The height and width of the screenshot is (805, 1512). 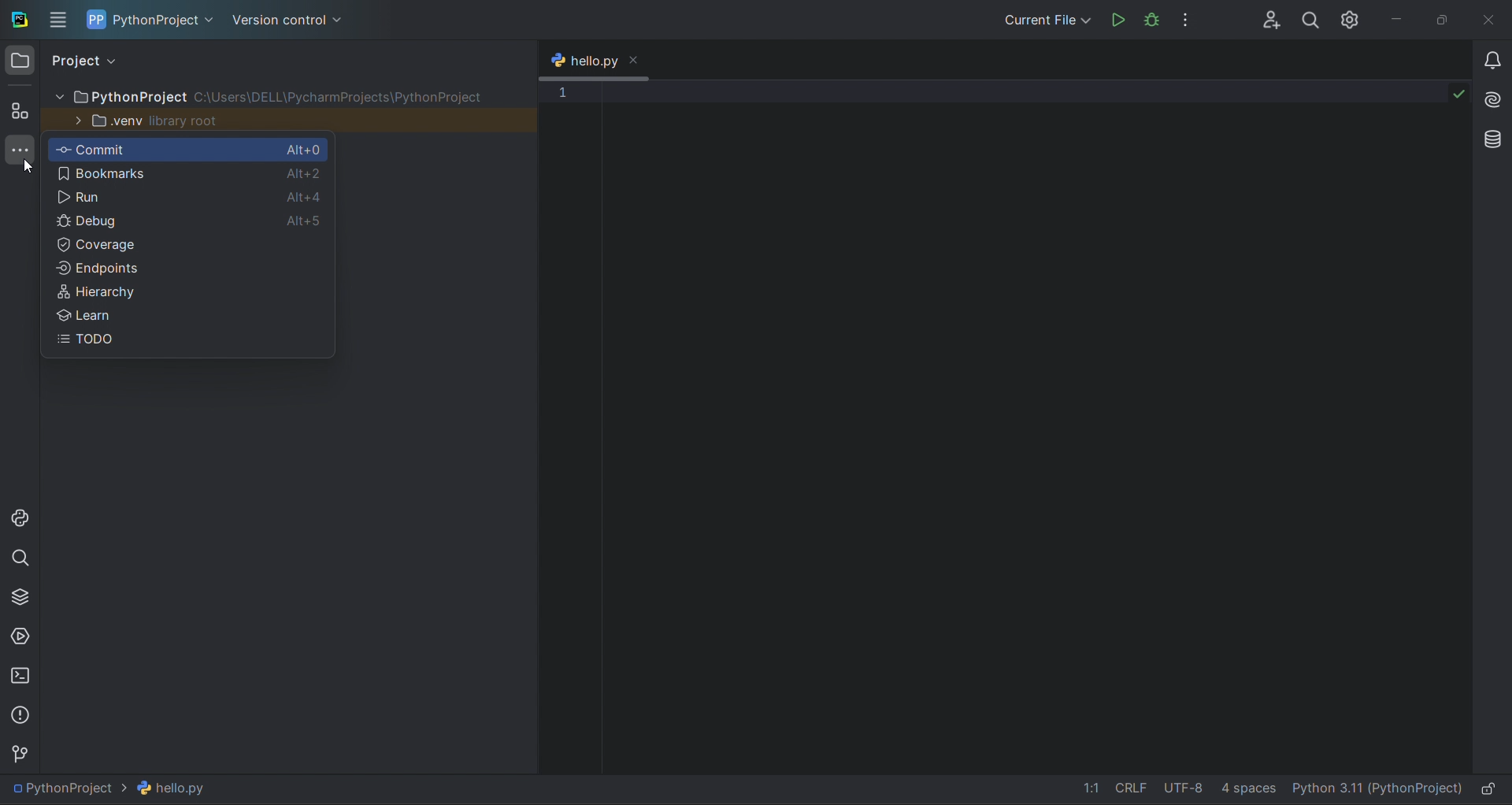 What do you see at coordinates (1444, 20) in the screenshot?
I see `maximize` at bounding box center [1444, 20].